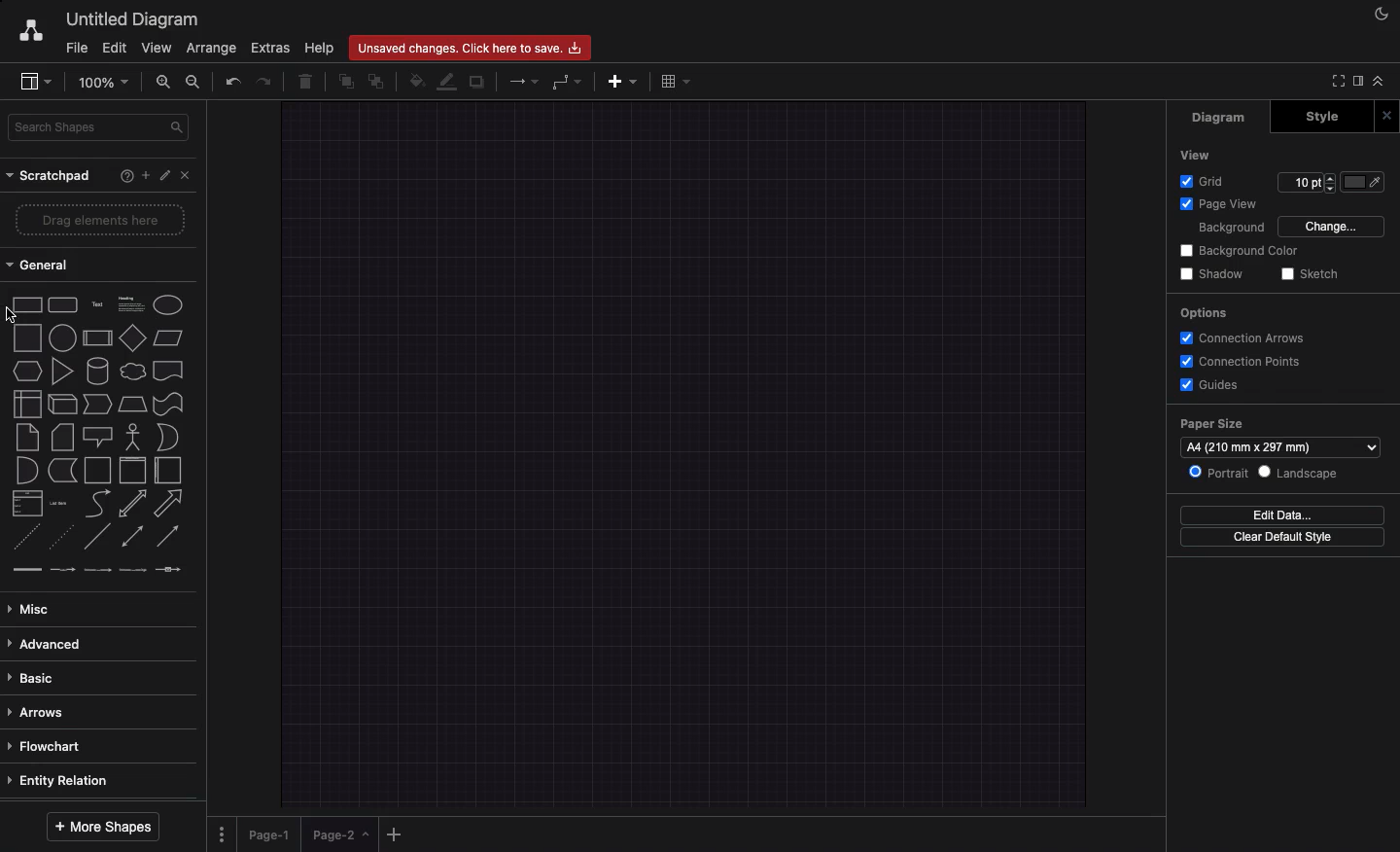  Describe the element at coordinates (270, 49) in the screenshot. I see `Extras` at that location.